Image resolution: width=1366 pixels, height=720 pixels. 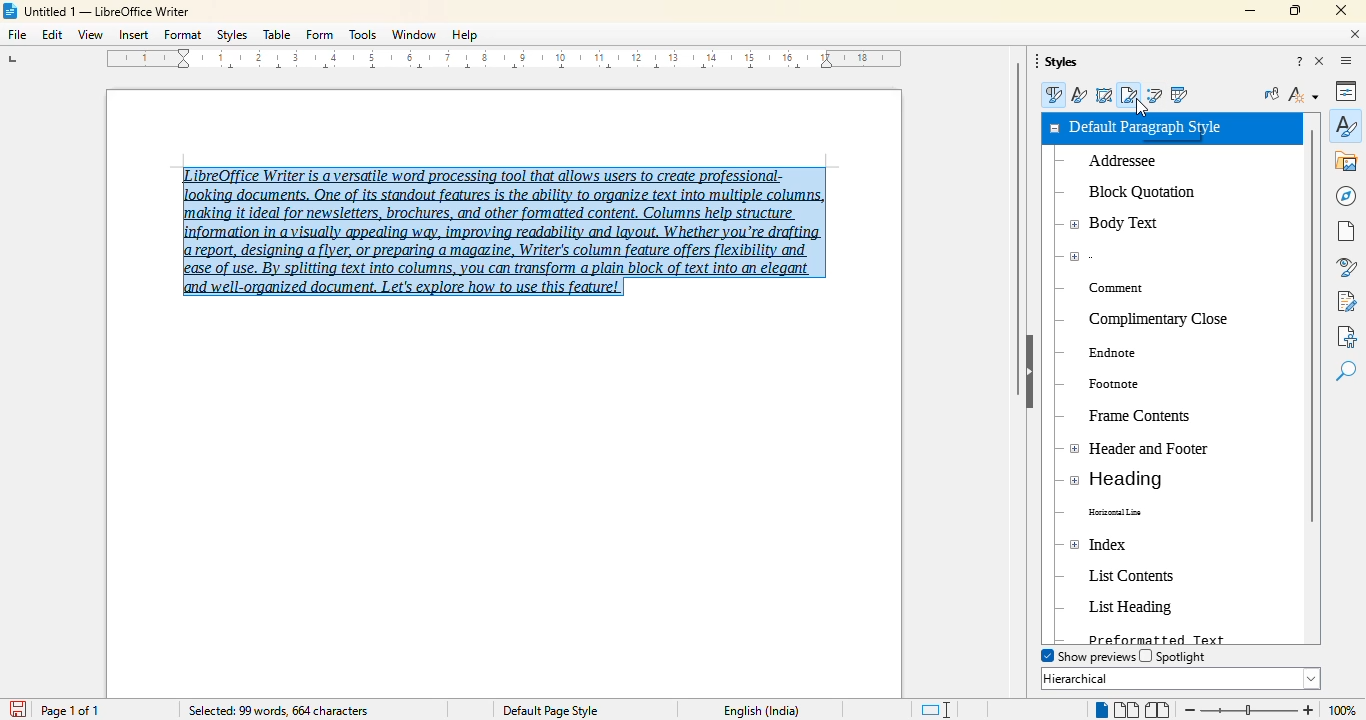 What do you see at coordinates (1139, 449) in the screenshot?
I see `Header and Footer` at bounding box center [1139, 449].